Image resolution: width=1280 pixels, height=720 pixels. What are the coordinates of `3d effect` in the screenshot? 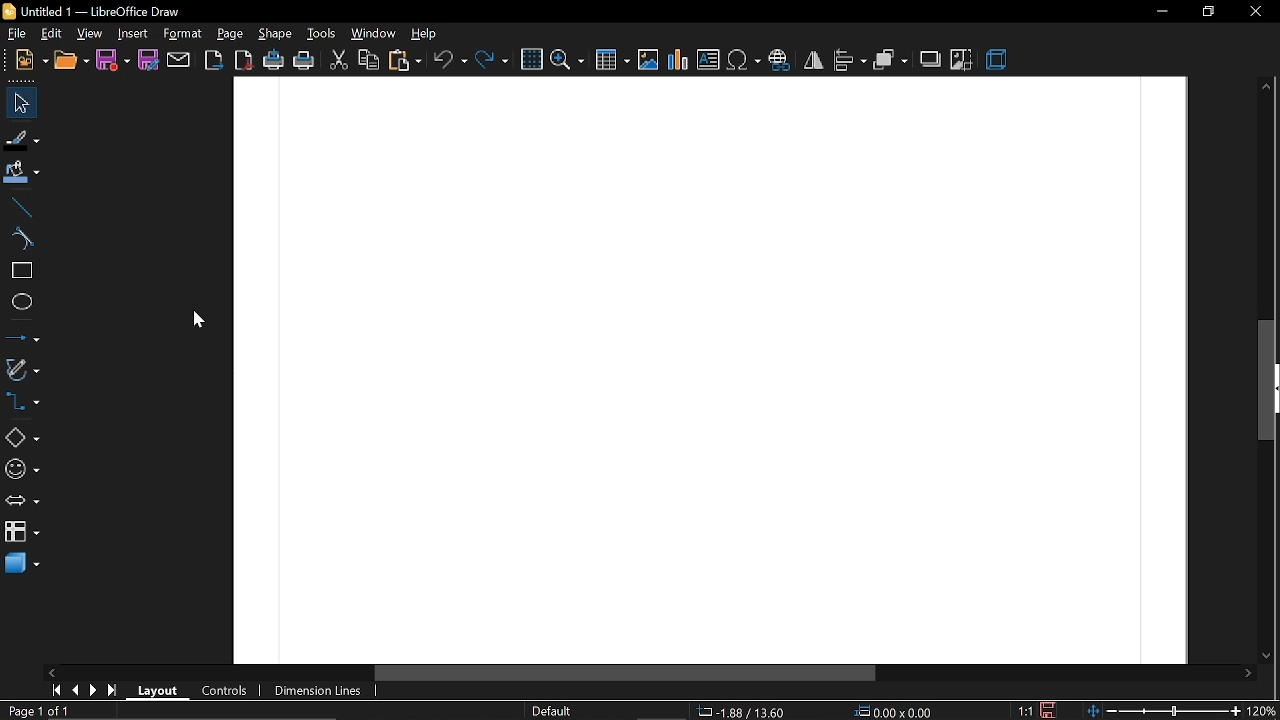 It's located at (998, 60).